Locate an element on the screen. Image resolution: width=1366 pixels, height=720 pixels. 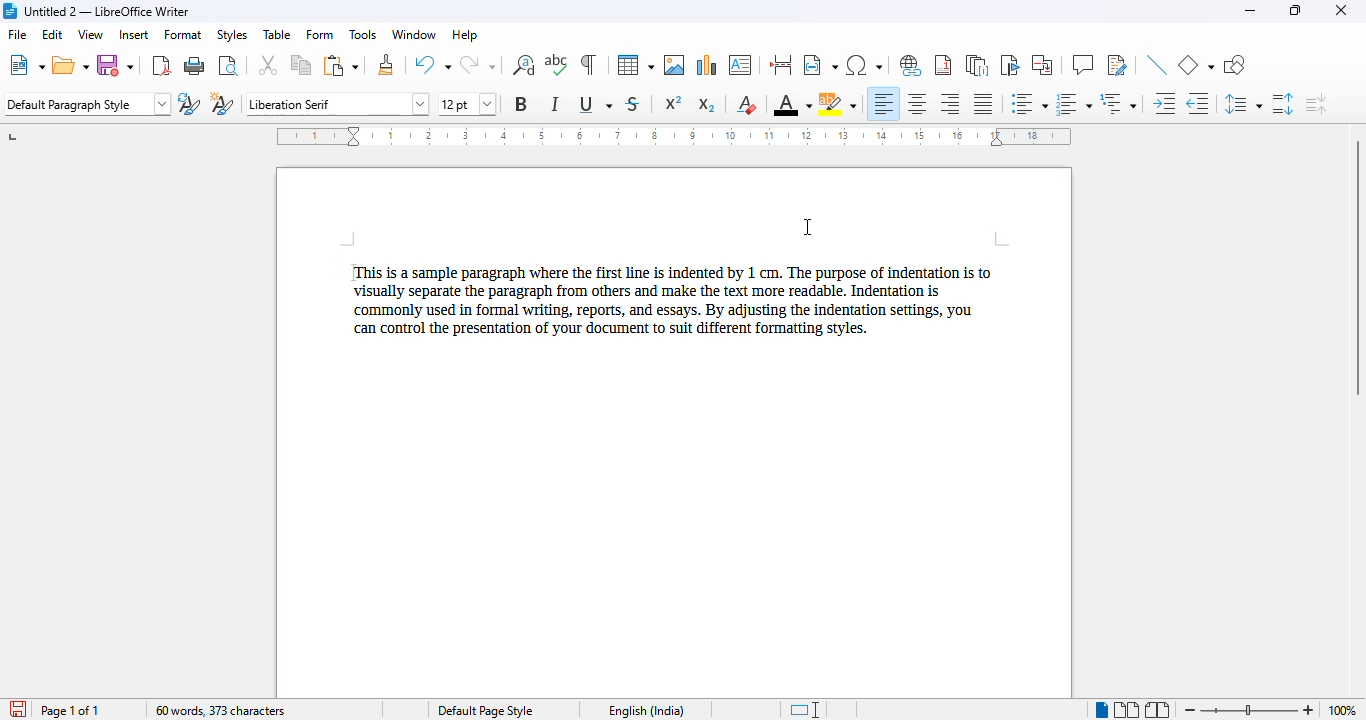
show track changes functions is located at coordinates (1117, 65).